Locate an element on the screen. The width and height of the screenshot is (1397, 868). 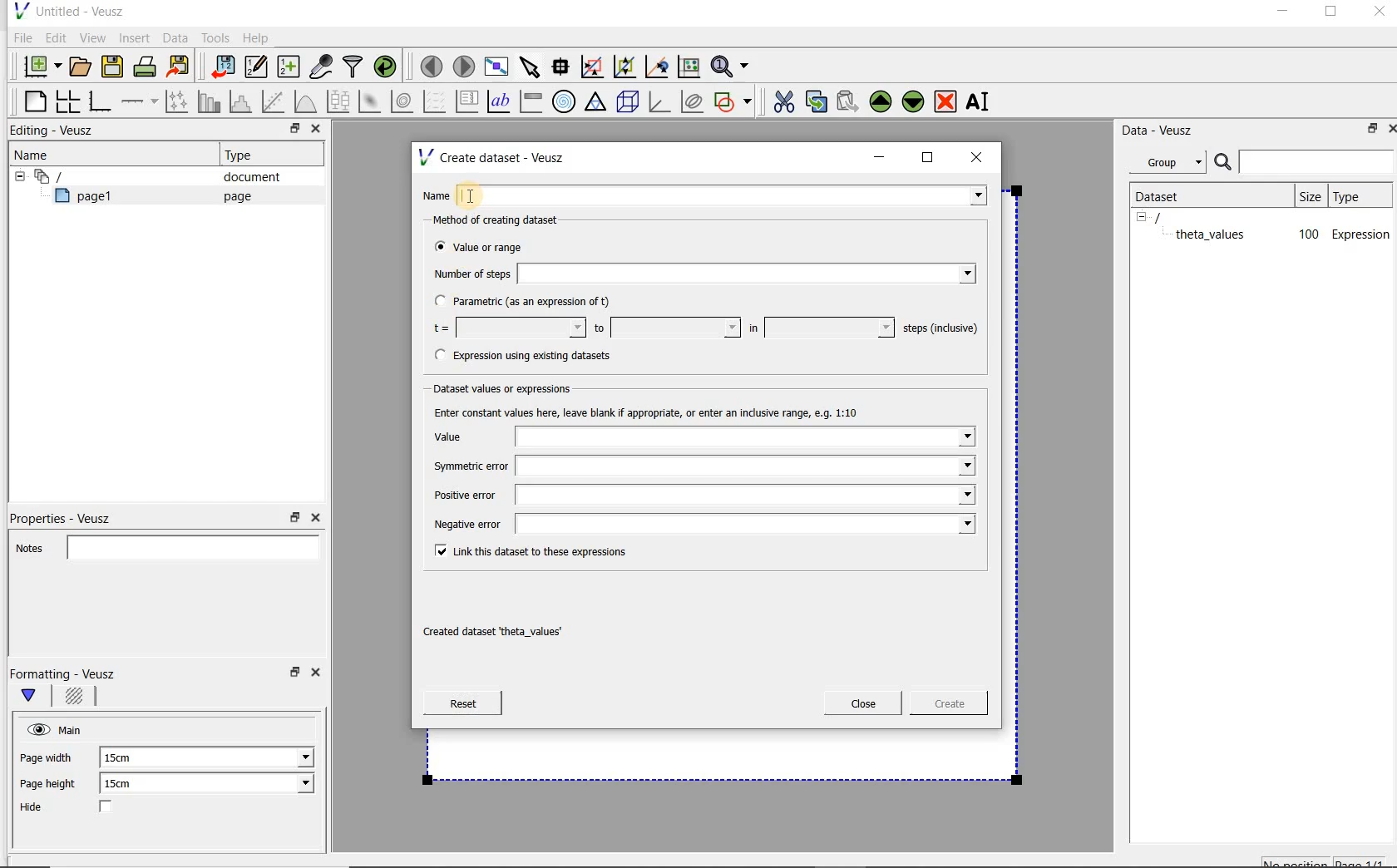
minimize is located at coordinates (880, 157).